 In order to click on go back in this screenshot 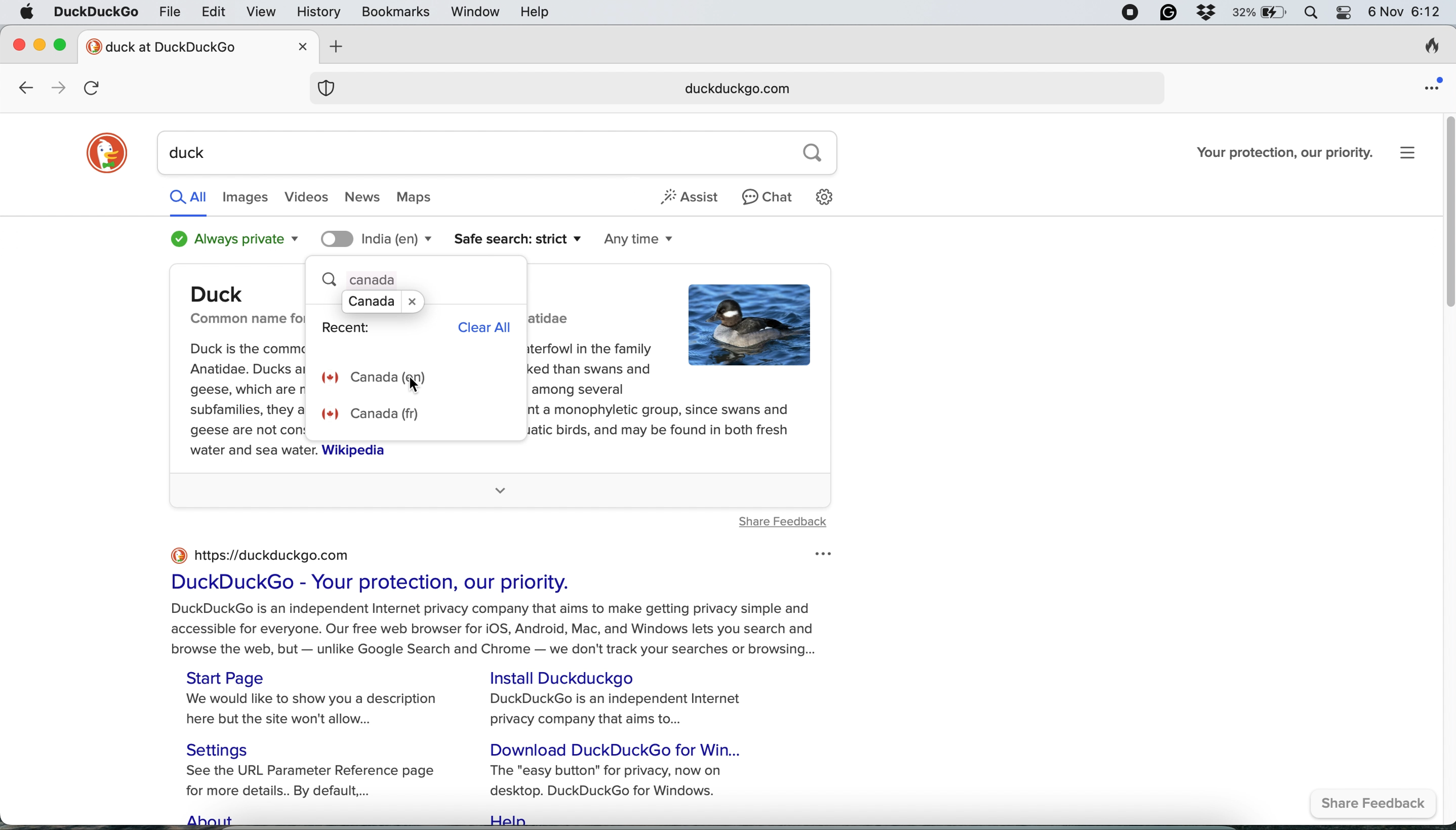, I will do `click(25, 89)`.